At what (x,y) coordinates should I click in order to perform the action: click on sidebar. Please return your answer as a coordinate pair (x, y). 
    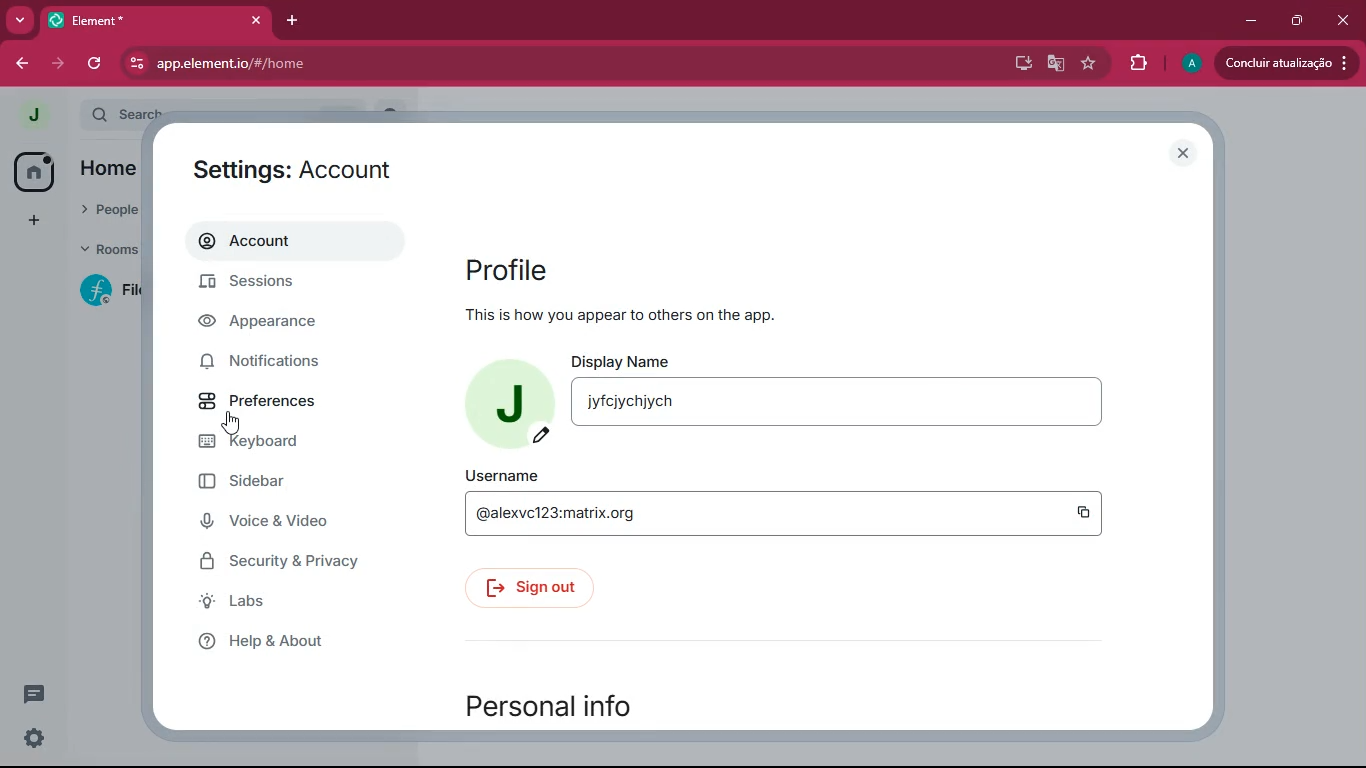
    Looking at the image, I should click on (282, 484).